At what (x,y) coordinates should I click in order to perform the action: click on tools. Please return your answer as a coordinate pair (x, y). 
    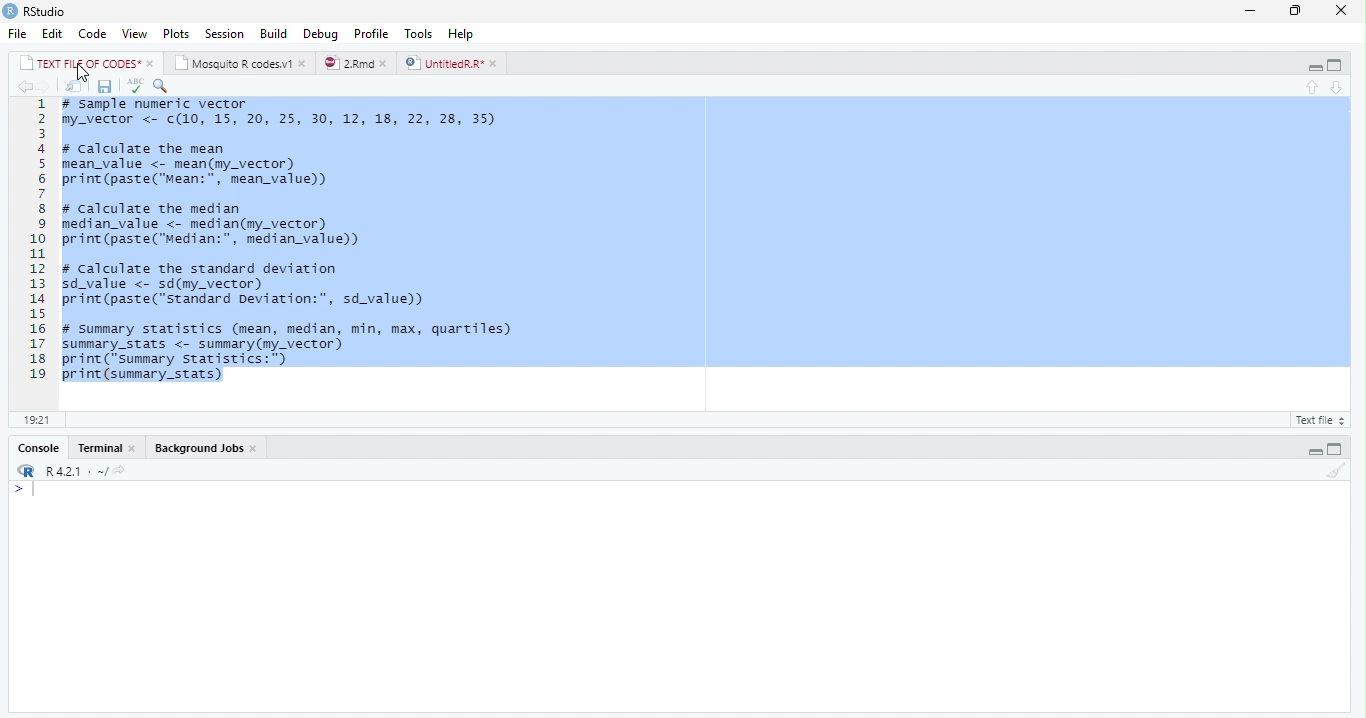
    Looking at the image, I should click on (420, 34).